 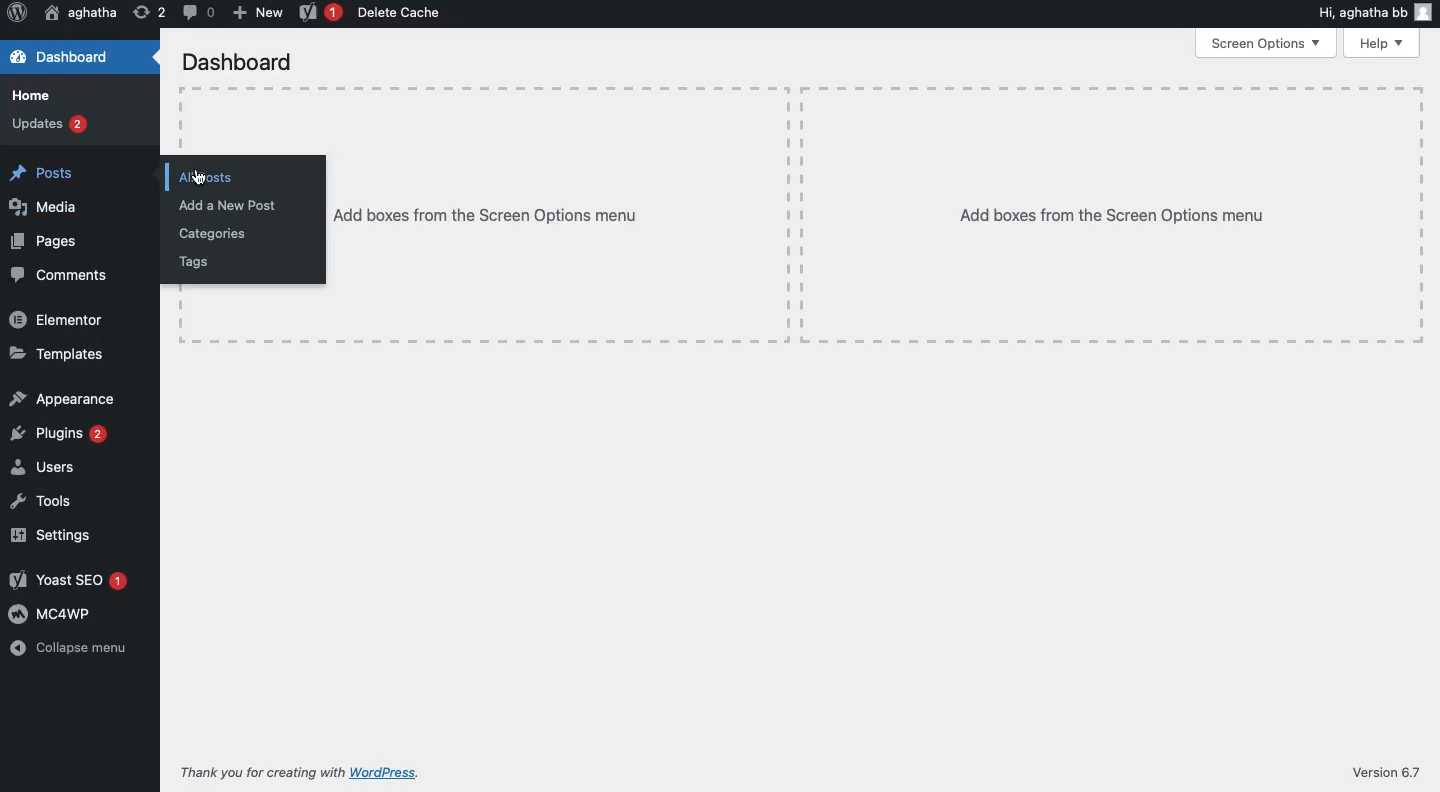 What do you see at coordinates (68, 649) in the screenshot?
I see `Collapse menu` at bounding box center [68, 649].